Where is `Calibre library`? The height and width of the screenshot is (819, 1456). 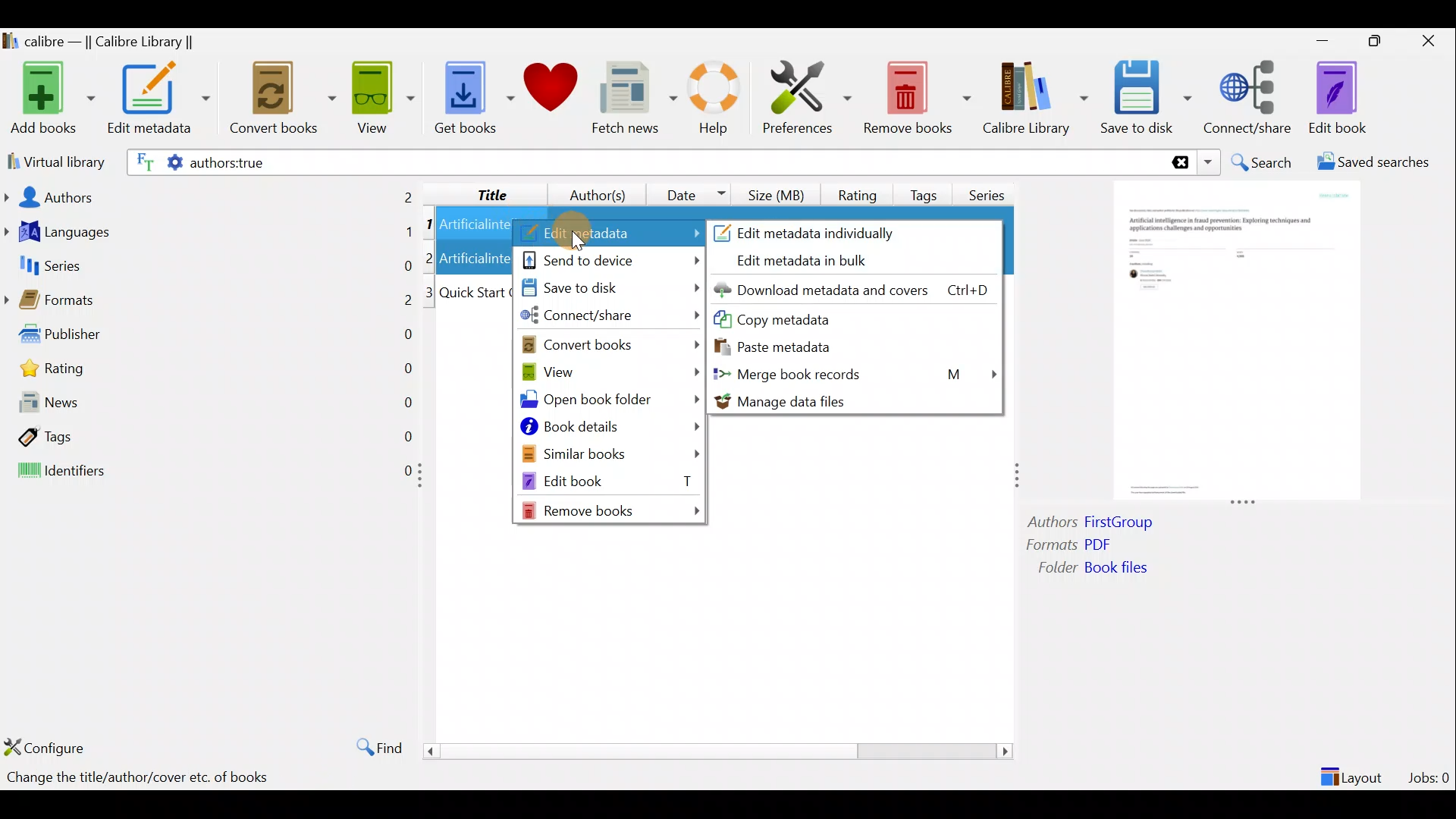 Calibre library is located at coordinates (1034, 95).